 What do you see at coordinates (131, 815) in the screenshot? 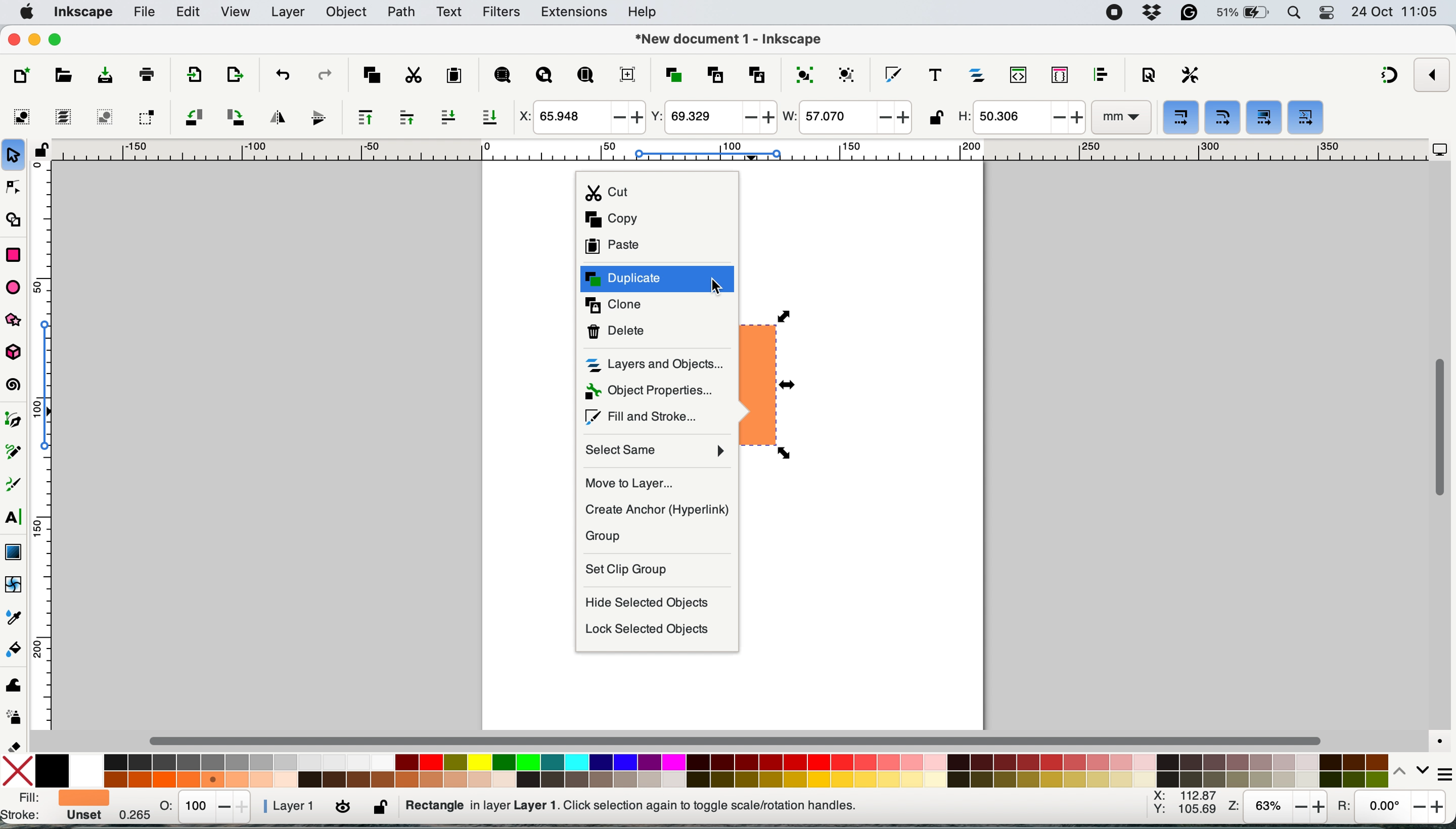
I see `0.265` at bounding box center [131, 815].